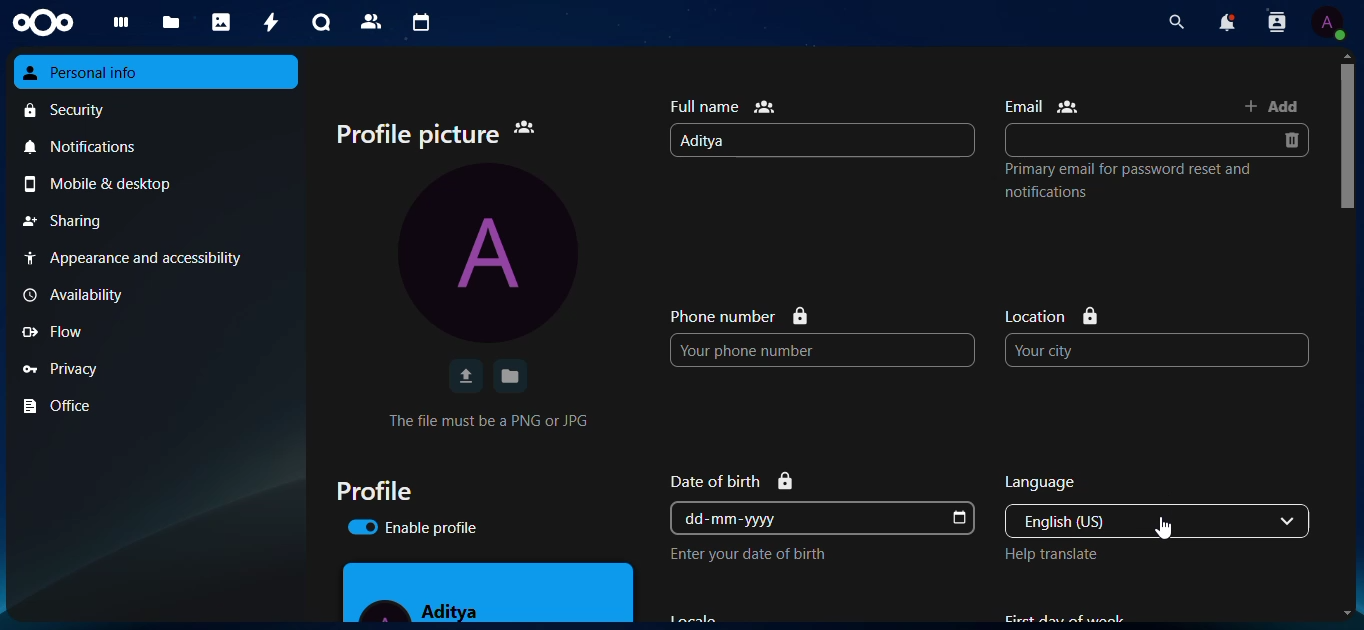 This screenshot has height=630, width=1364. I want to click on upload, so click(465, 377).